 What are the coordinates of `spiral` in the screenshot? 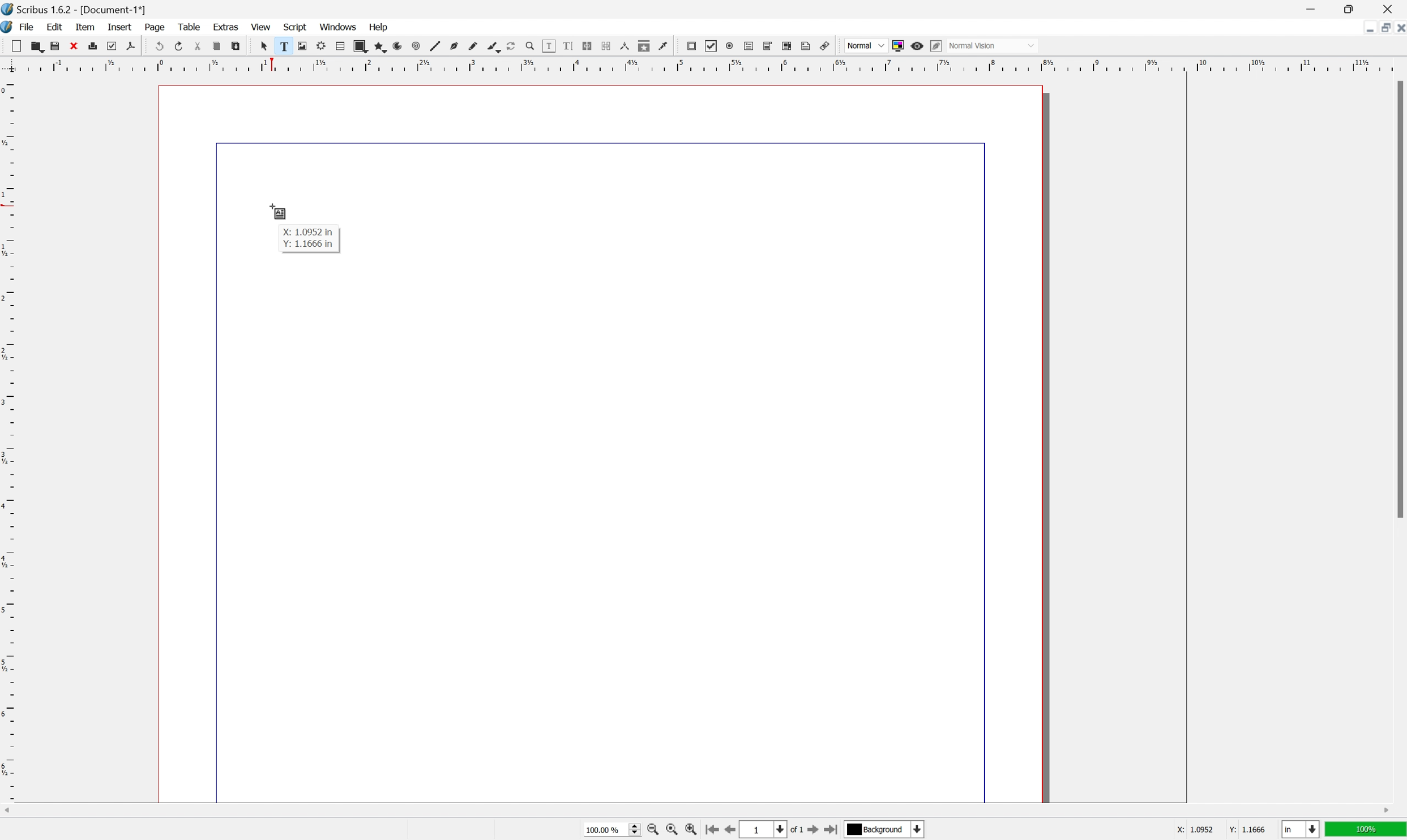 It's located at (401, 46).